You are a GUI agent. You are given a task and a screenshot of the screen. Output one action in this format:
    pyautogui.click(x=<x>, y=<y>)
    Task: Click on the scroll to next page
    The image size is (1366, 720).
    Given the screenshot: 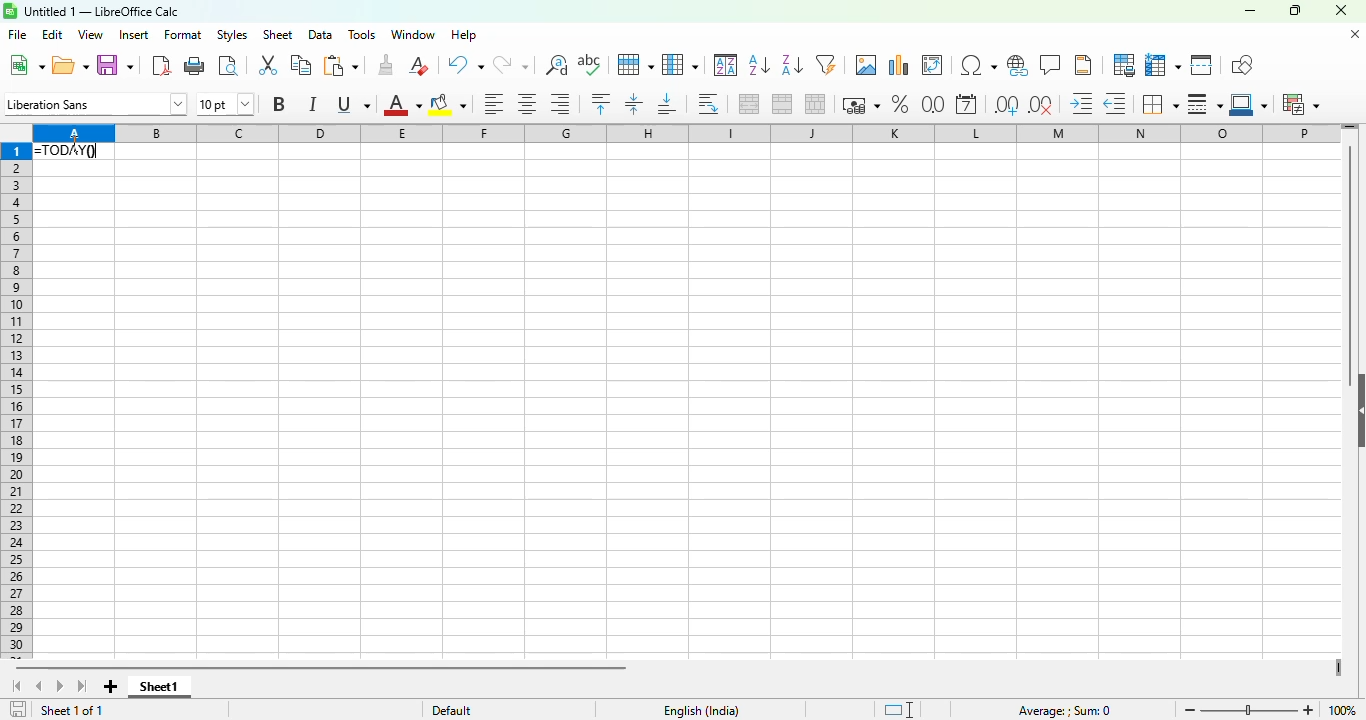 What is the action you would take?
    pyautogui.click(x=61, y=687)
    